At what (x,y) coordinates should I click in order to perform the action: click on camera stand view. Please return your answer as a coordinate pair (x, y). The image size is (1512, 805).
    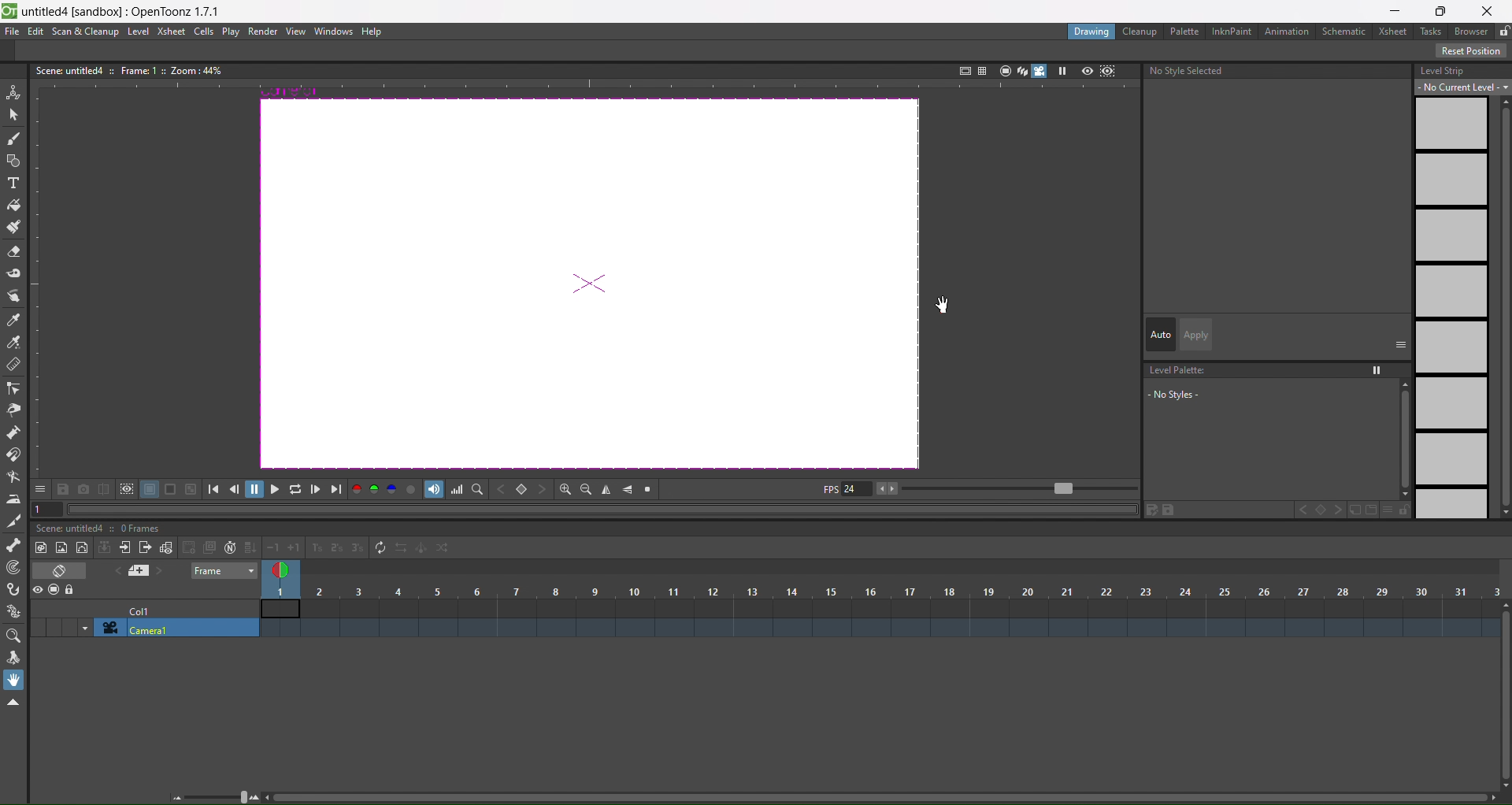
    Looking at the image, I should click on (1002, 69).